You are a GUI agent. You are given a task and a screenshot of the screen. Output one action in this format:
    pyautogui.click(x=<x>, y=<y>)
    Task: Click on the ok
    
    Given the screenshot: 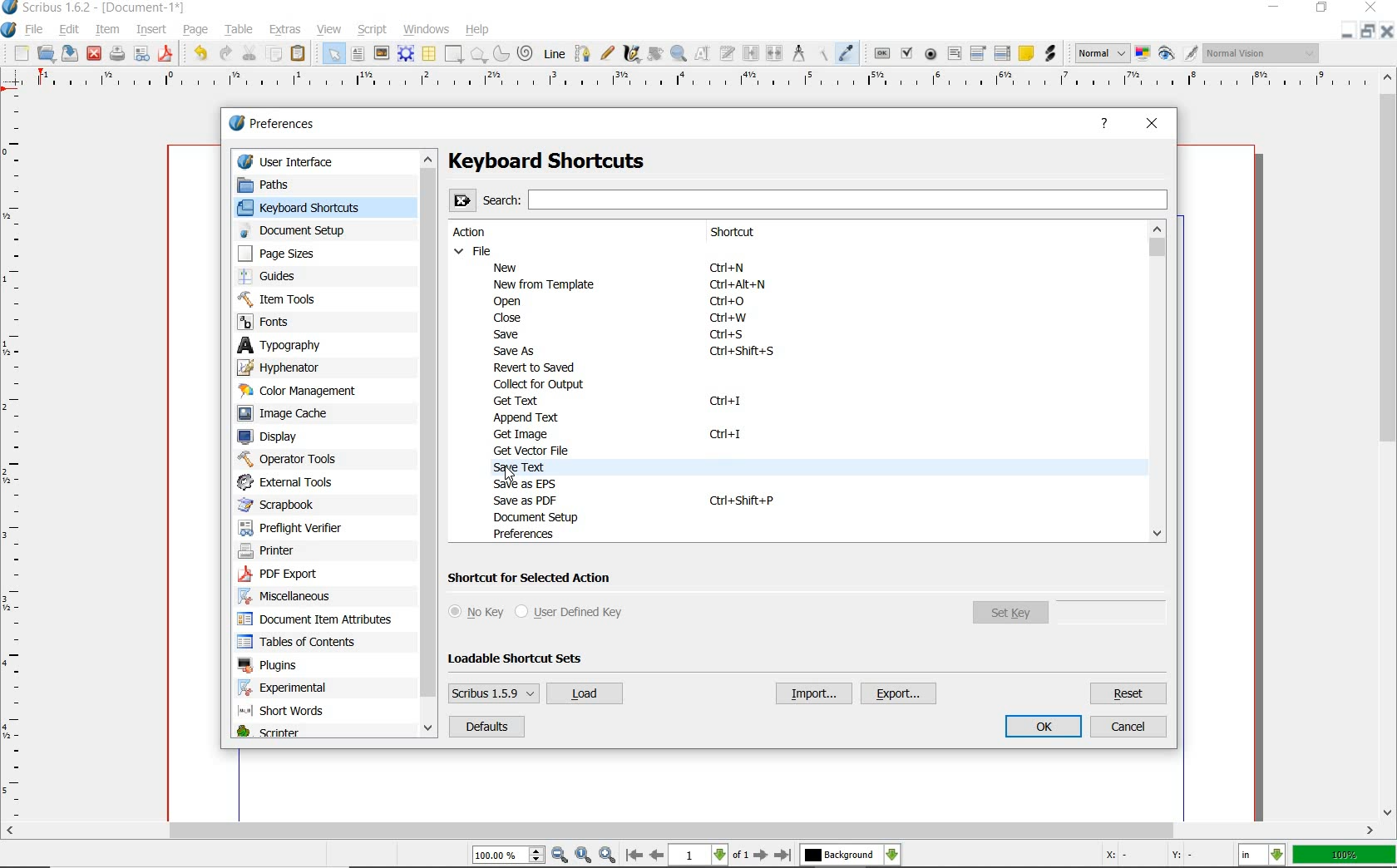 What is the action you would take?
    pyautogui.click(x=1045, y=727)
    